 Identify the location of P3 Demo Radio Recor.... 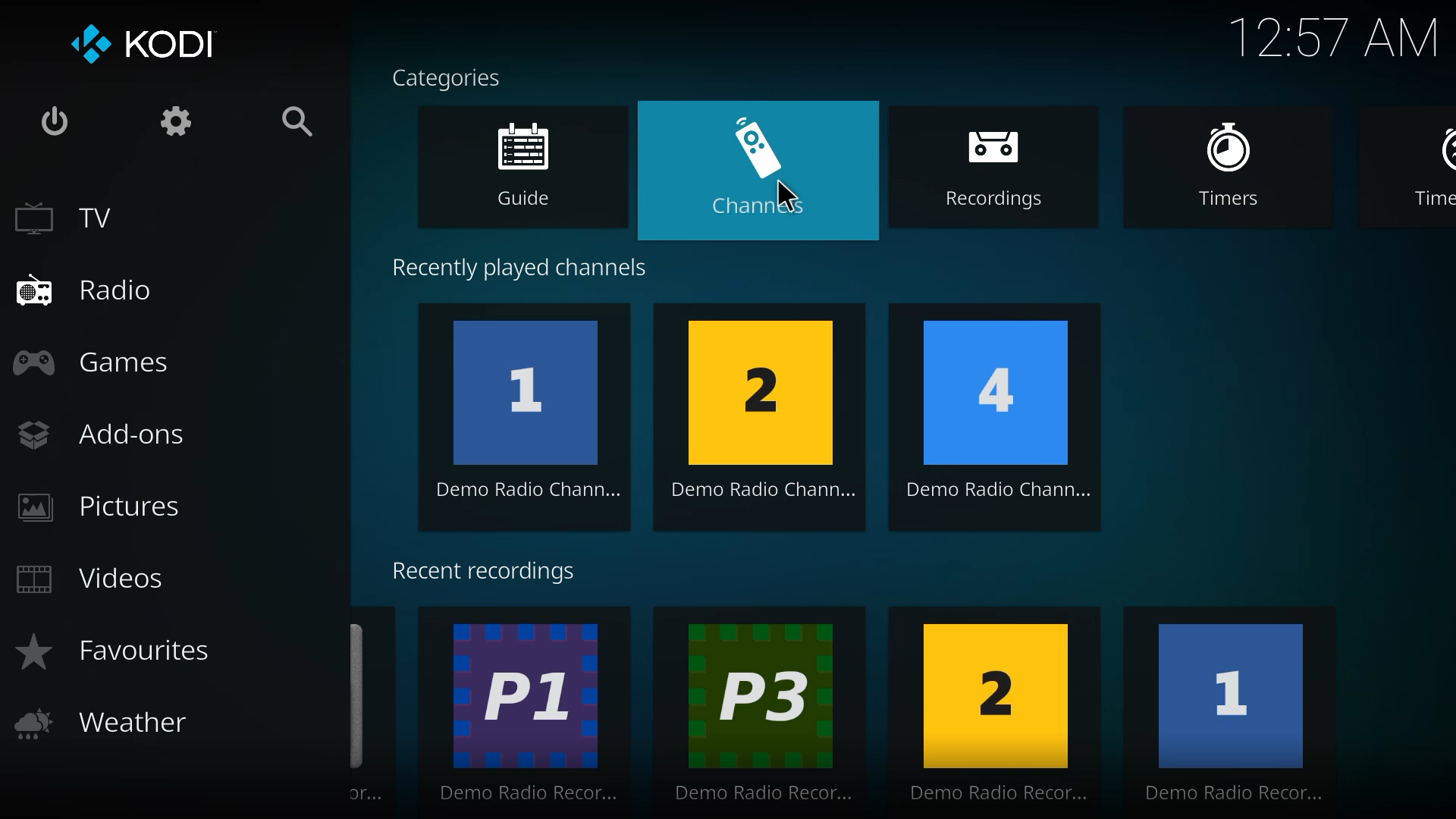
(766, 711).